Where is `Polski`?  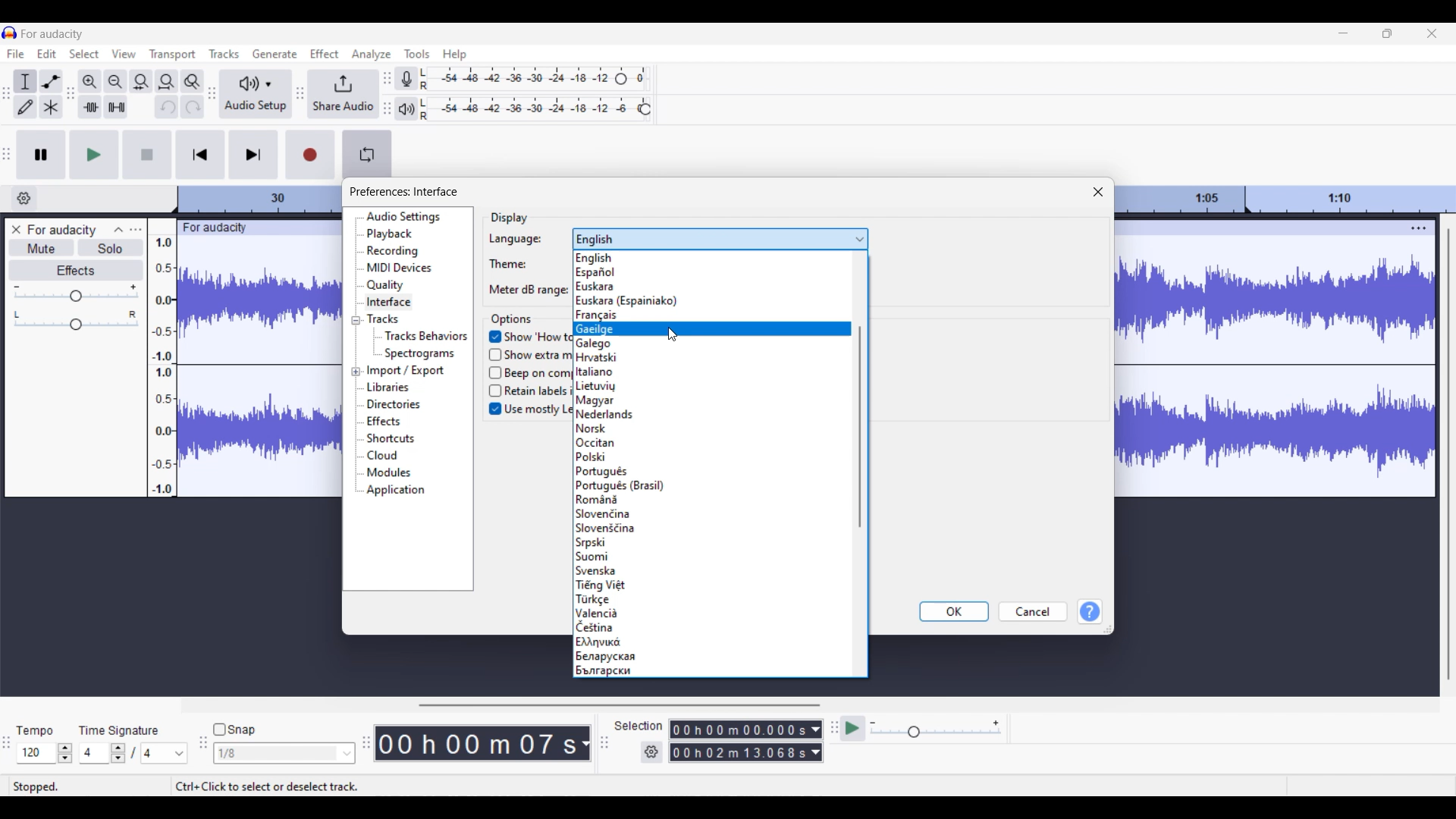 Polski is located at coordinates (592, 457).